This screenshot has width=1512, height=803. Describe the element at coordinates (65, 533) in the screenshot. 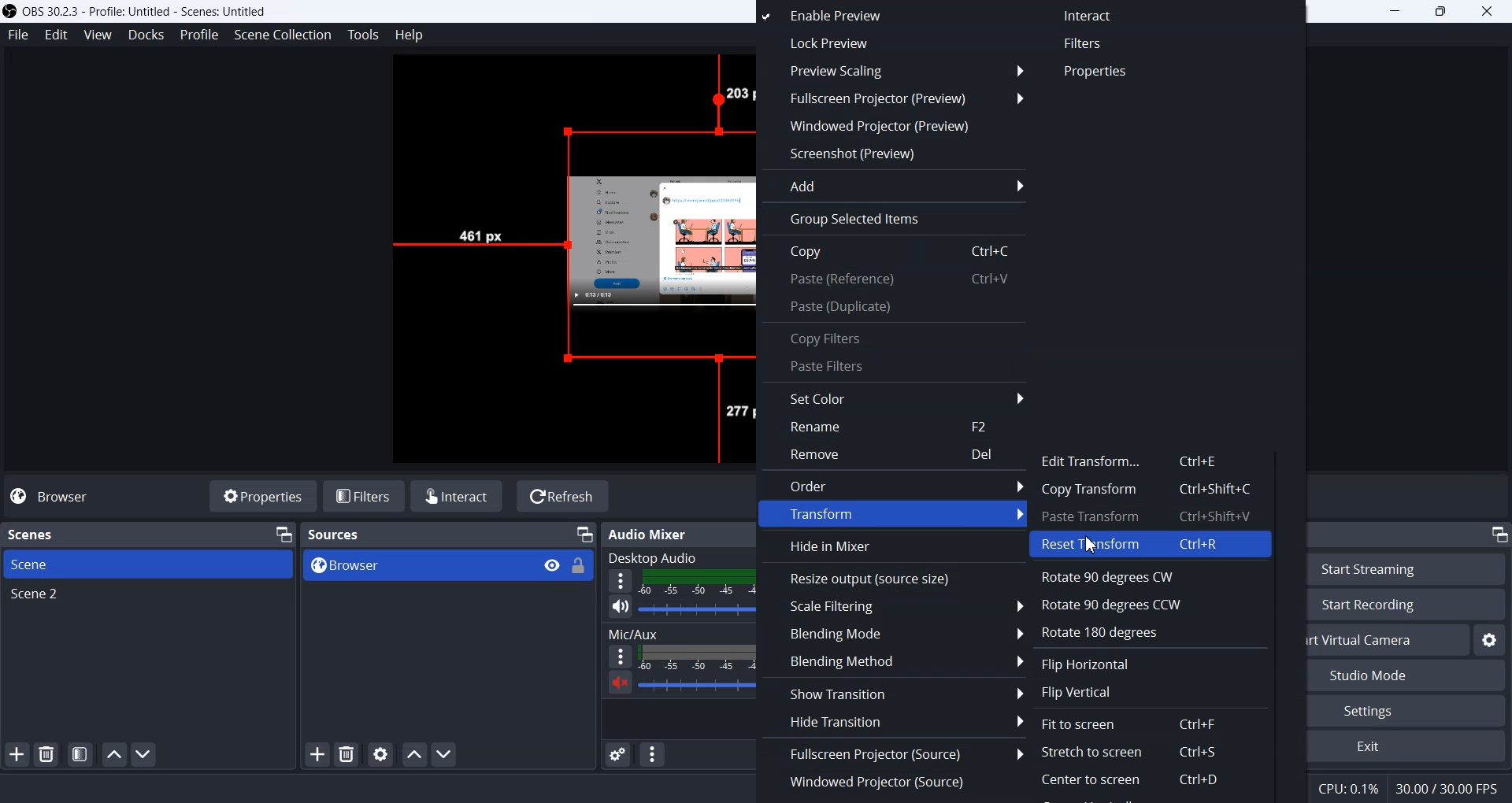

I see `Scenes` at that location.